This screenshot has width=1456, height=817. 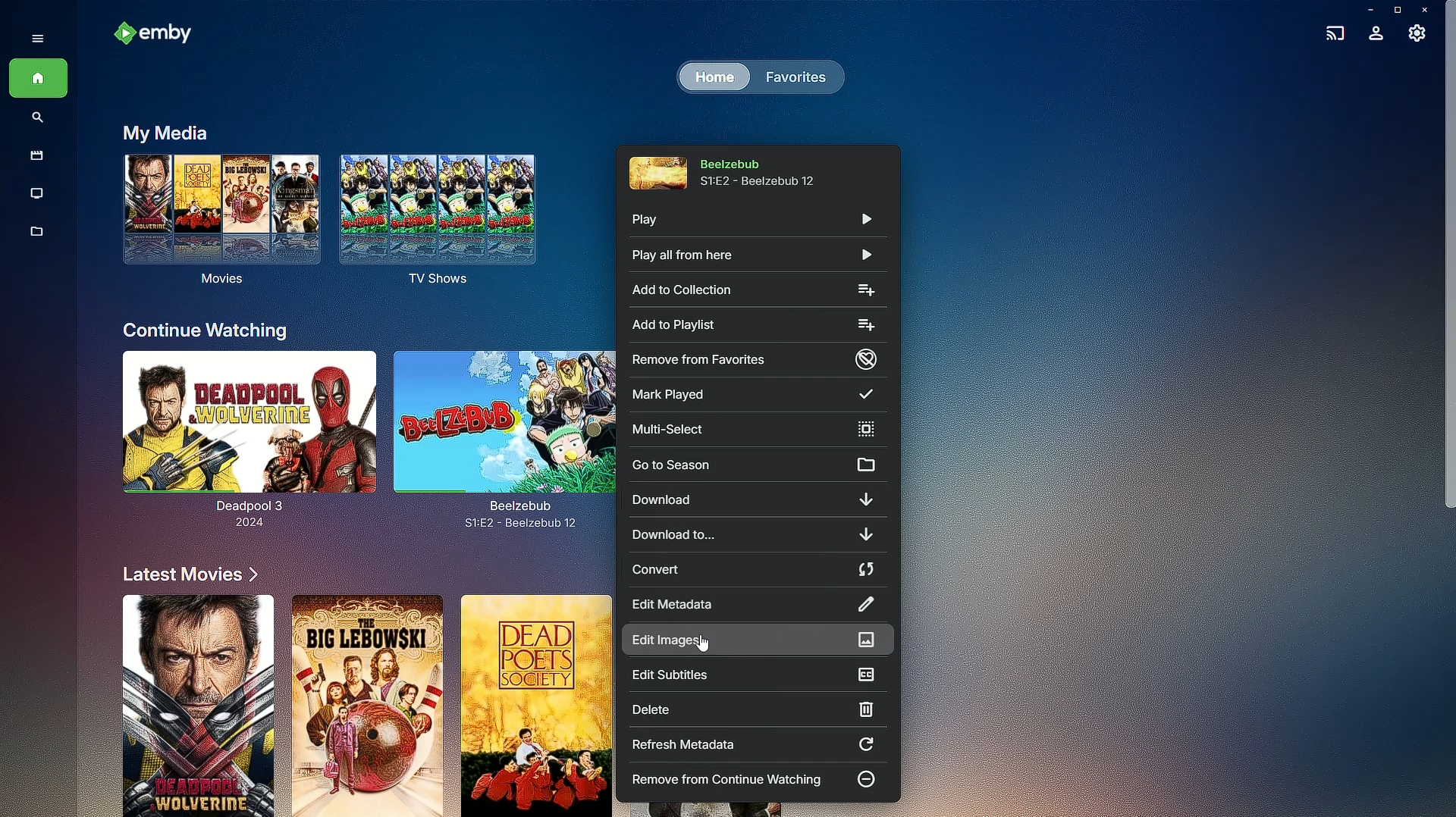 I want to click on Mark played, so click(x=761, y=393).